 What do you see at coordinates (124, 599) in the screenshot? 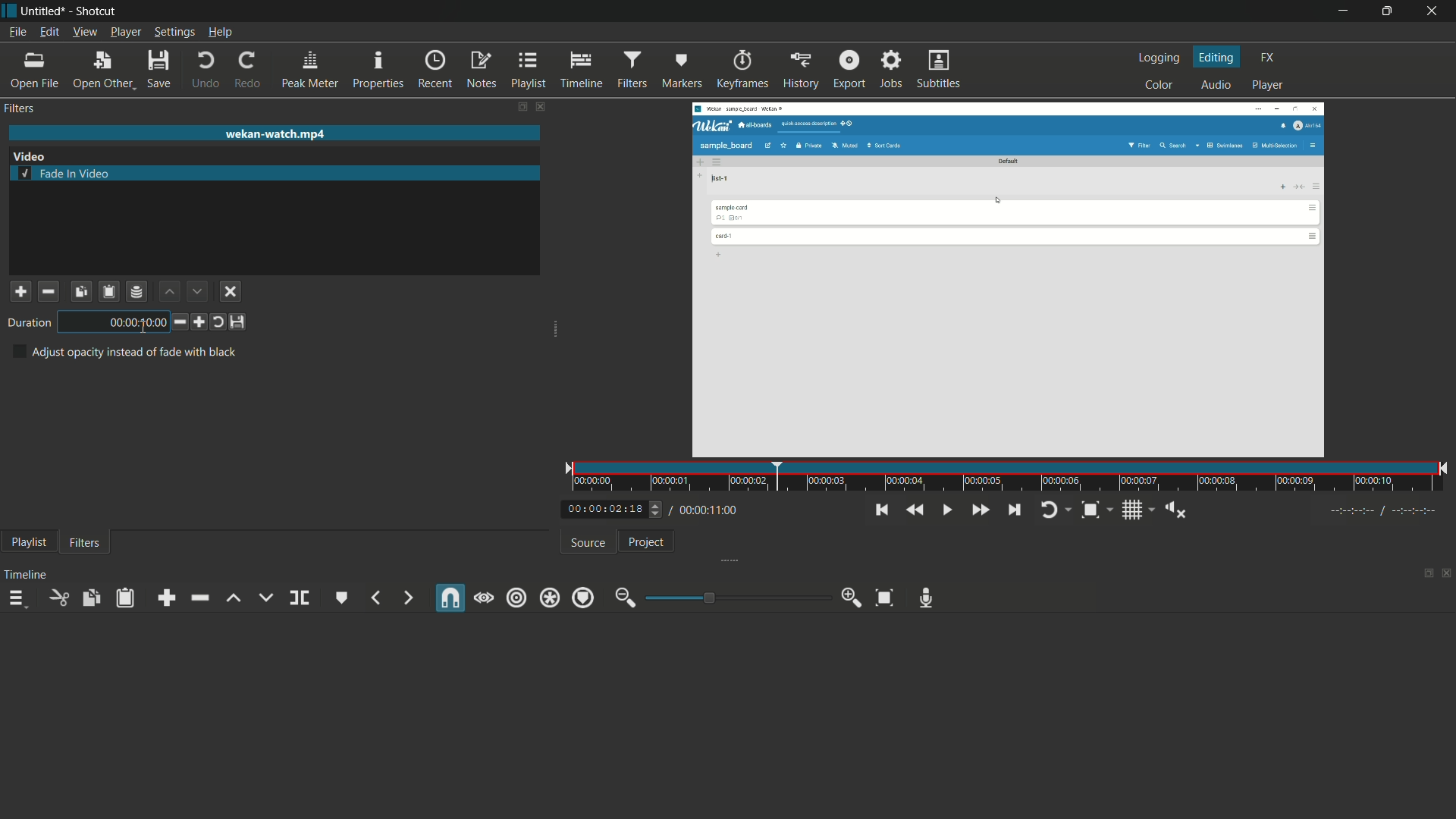
I see `paste` at bounding box center [124, 599].